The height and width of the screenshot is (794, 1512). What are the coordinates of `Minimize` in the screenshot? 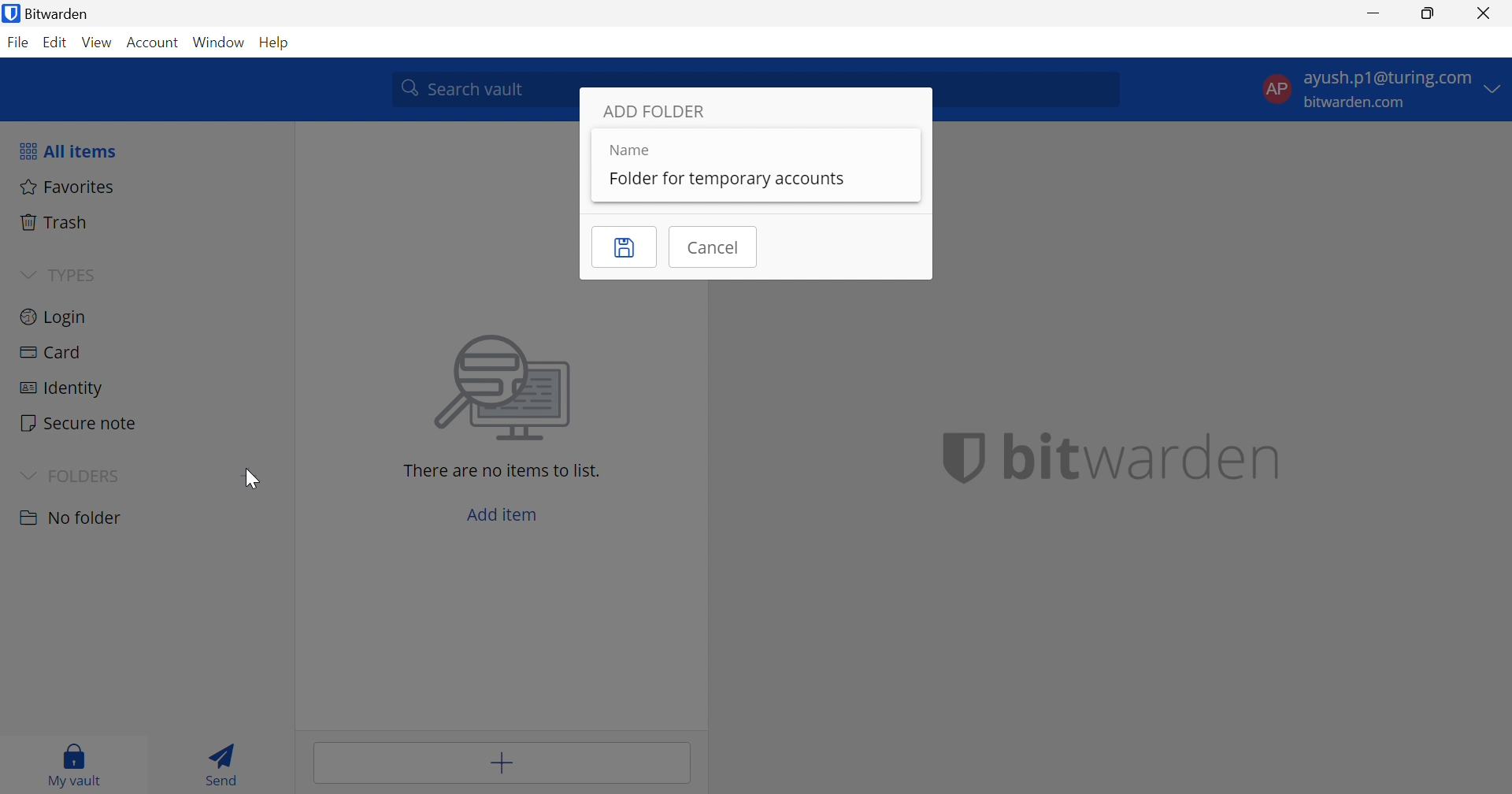 It's located at (1373, 11).